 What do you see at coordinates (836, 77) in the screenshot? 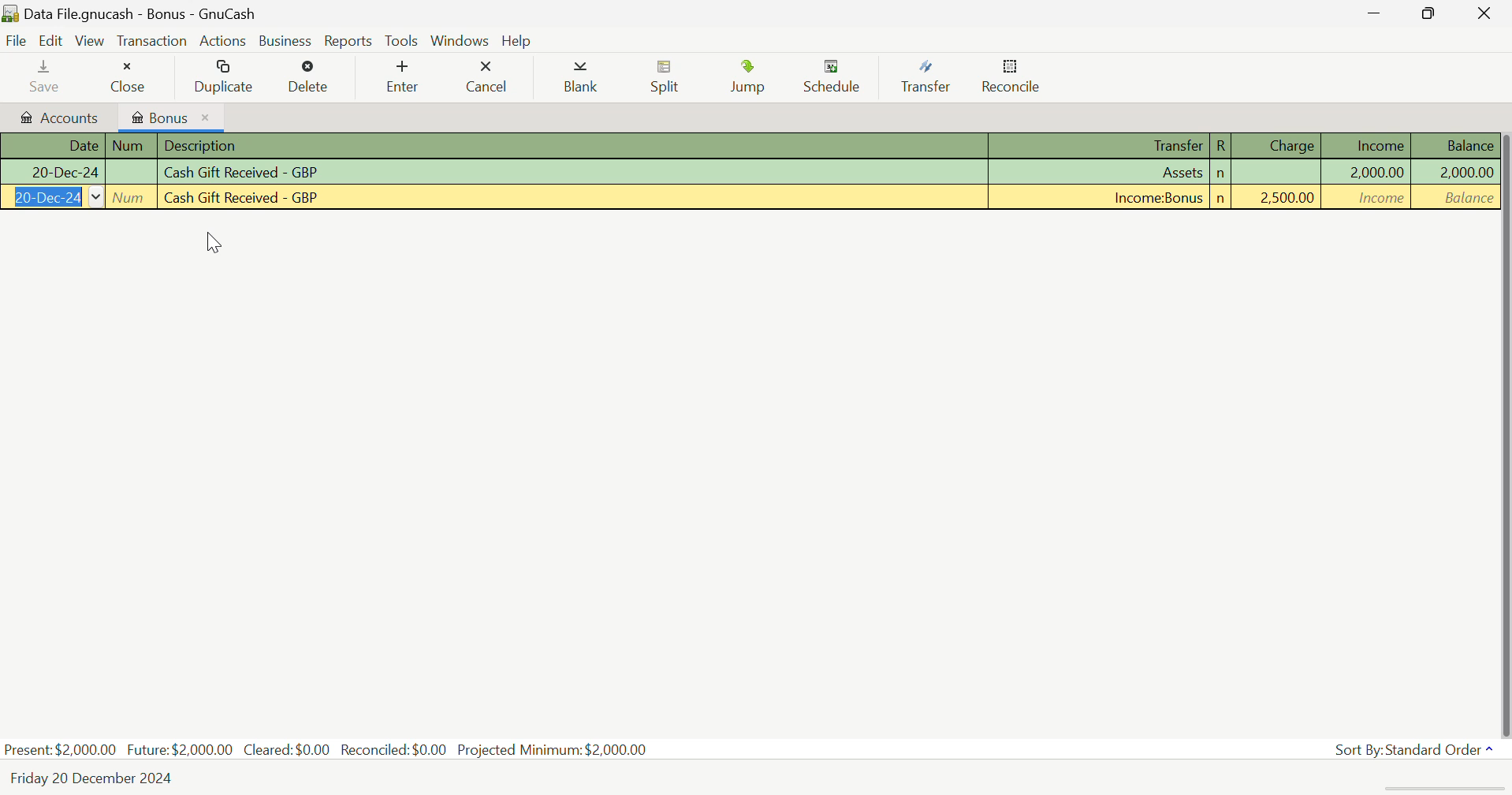
I see `Schedule` at bounding box center [836, 77].